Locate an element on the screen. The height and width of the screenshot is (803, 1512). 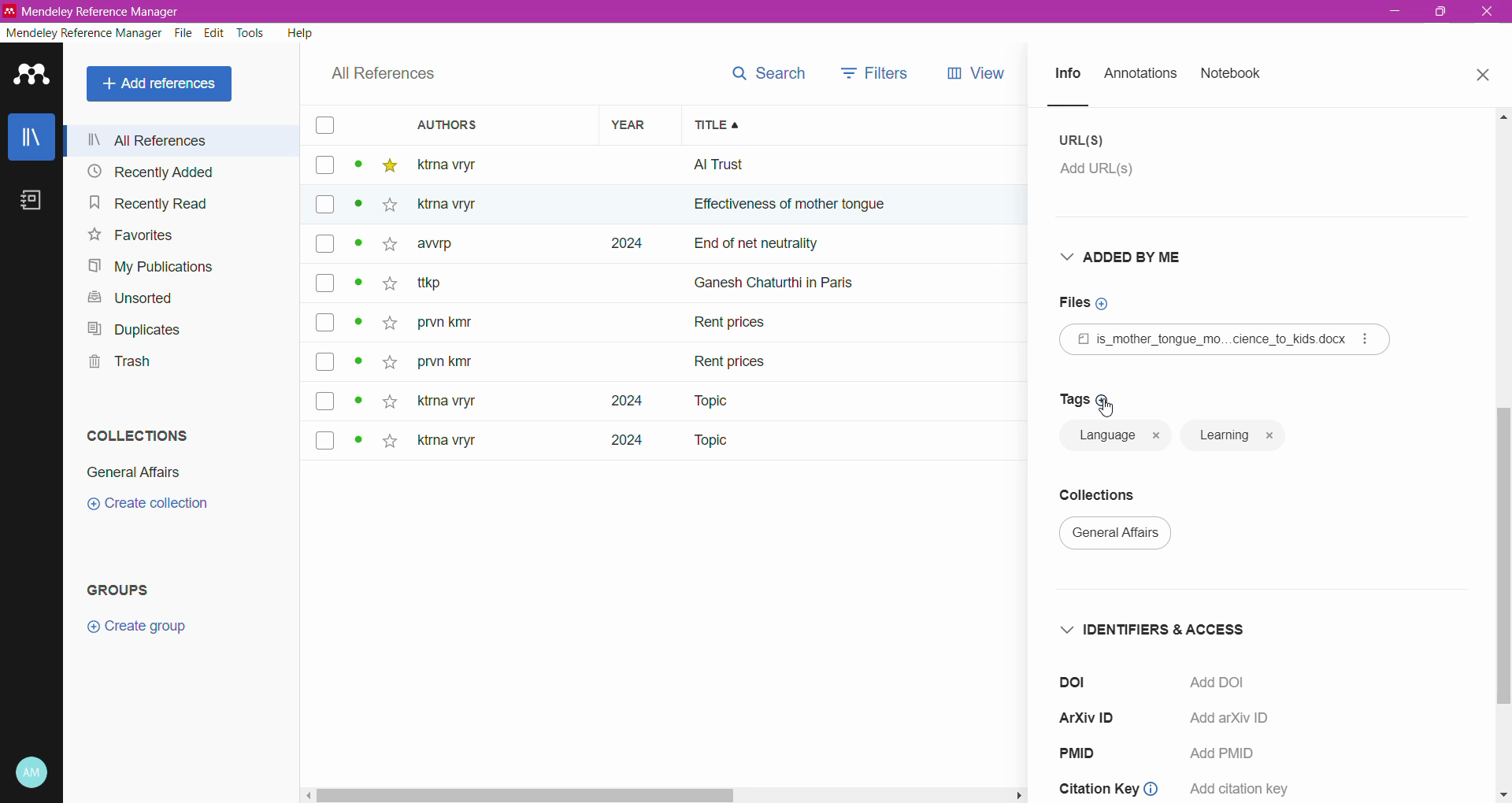
dot  is located at coordinates (354, 442).